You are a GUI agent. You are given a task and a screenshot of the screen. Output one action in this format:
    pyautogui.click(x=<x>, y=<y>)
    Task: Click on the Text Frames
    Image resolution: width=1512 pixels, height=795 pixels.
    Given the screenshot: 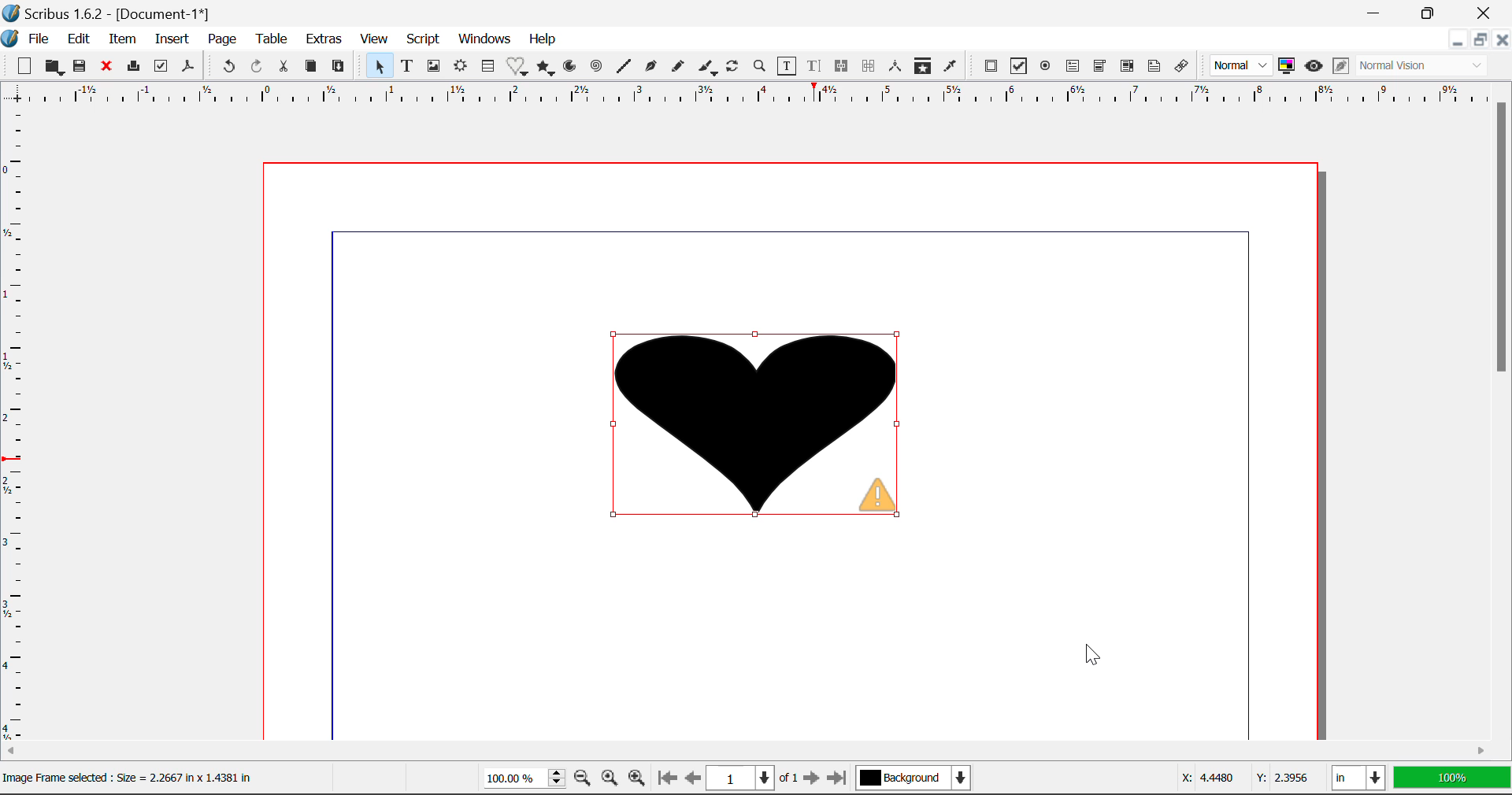 What is the action you would take?
    pyautogui.click(x=408, y=67)
    